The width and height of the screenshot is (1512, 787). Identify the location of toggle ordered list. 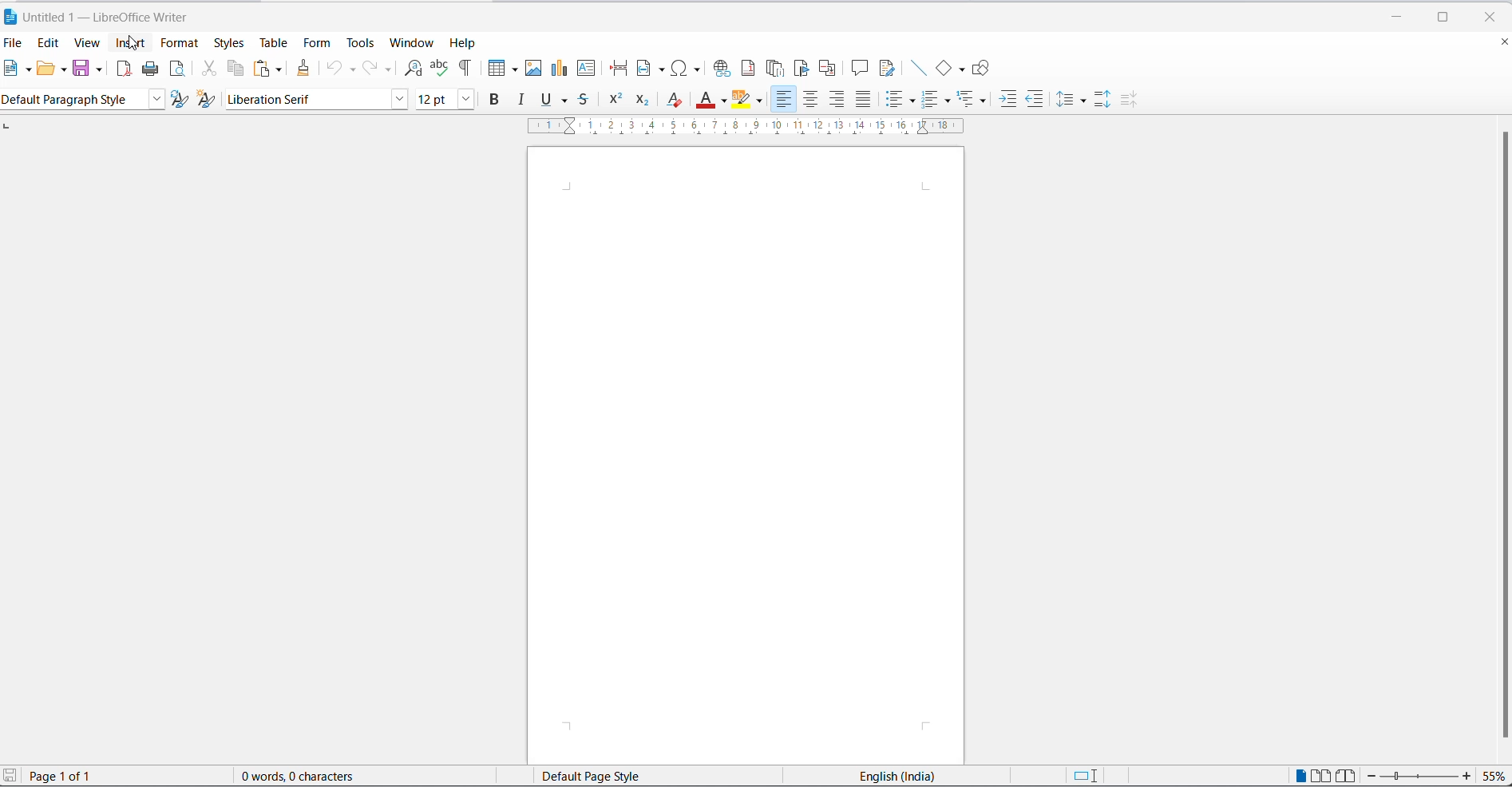
(933, 99).